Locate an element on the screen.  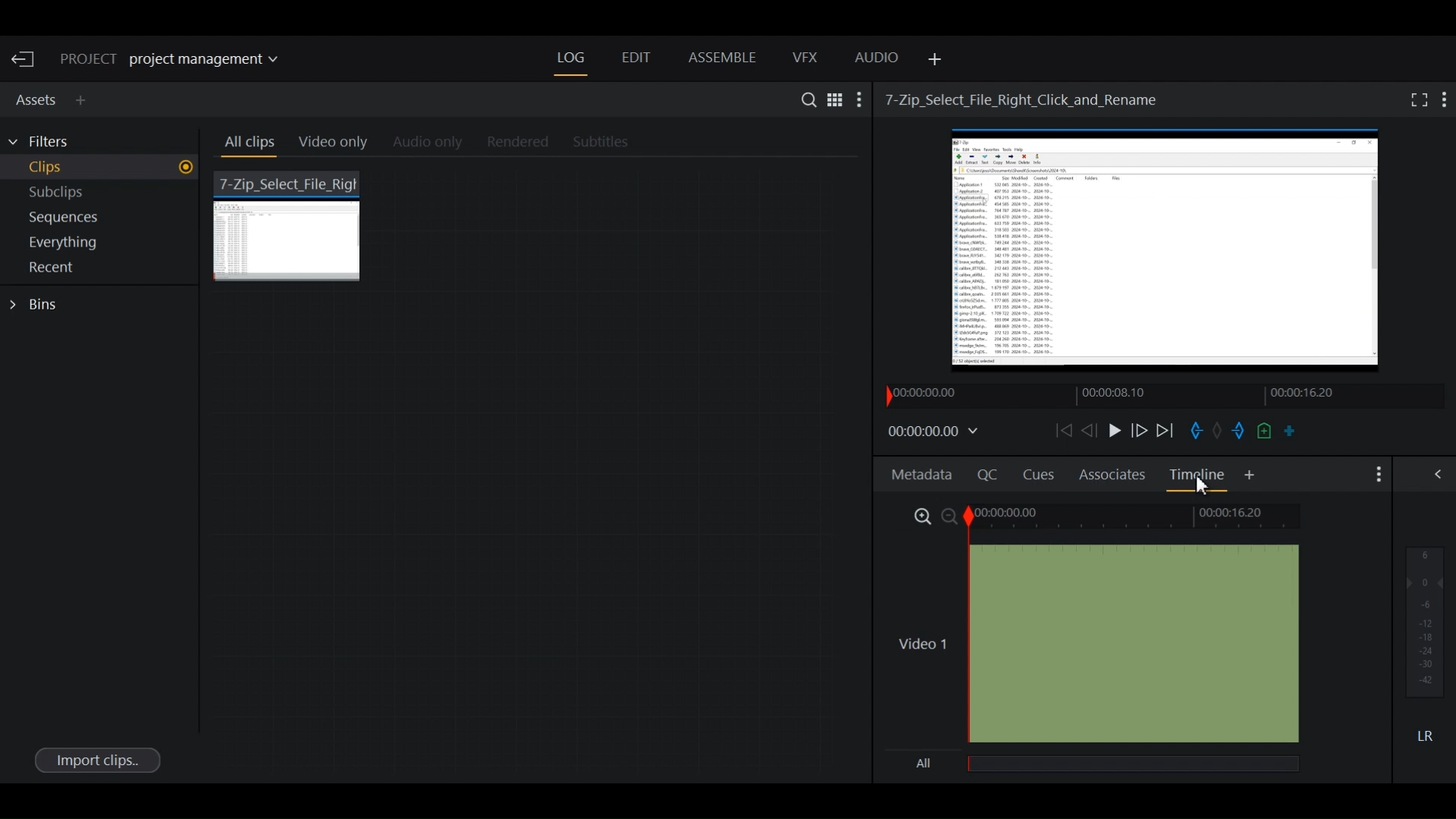
Mark in is located at coordinates (1197, 430).